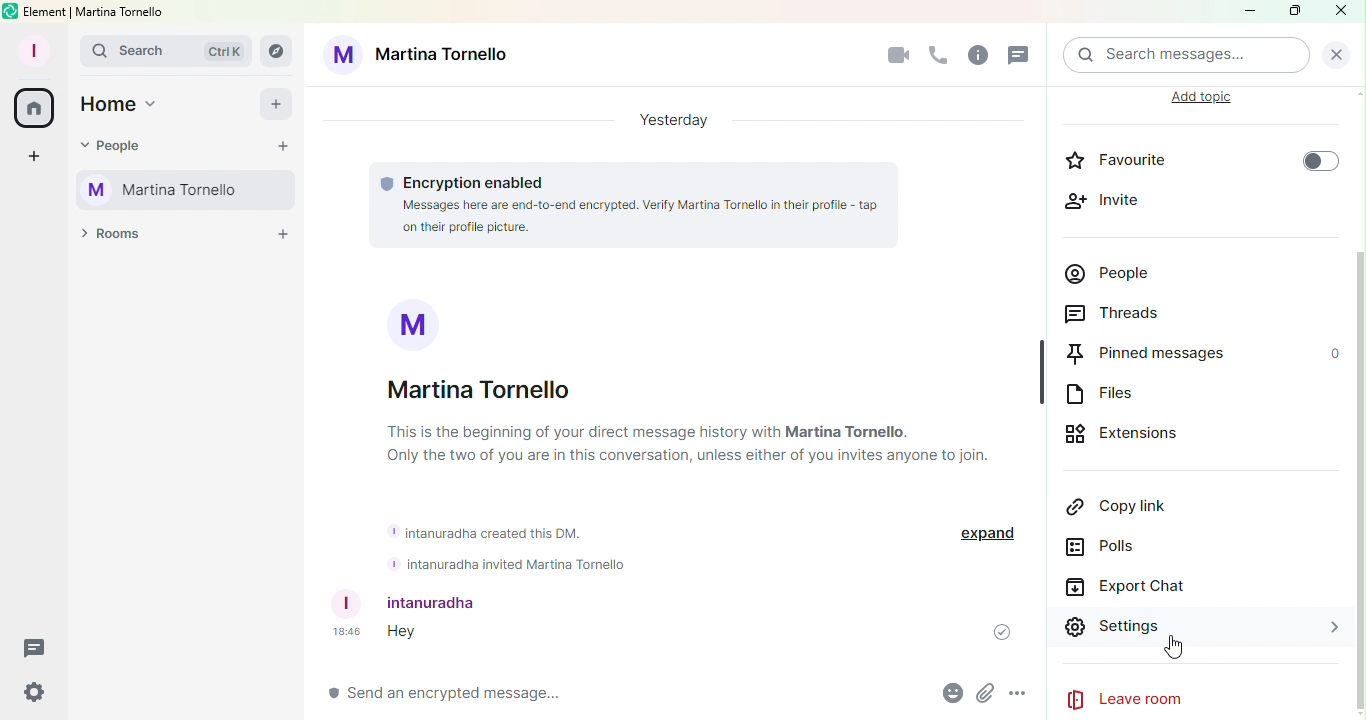  What do you see at coordinates (630, 217) in the screenshot?
I see `messeges here are end-to-end encrypted. Verify Martina Tornello in their profile- tap in their profile picture` at bounding box center [630, 217].